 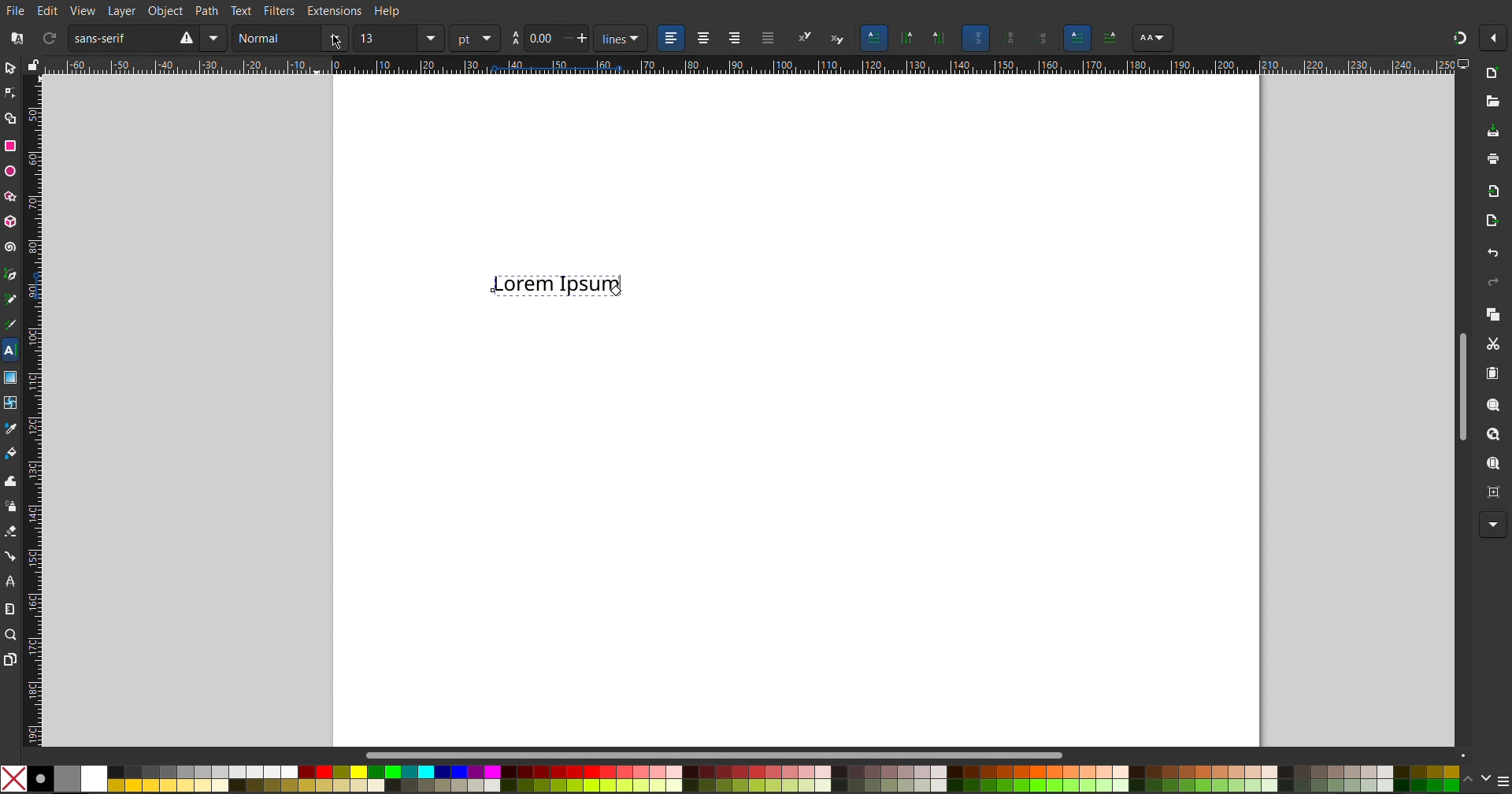 What do you see at coordinates (1490, 282) in the screenshot?
I see `Redo` at bounding box center [1490, 282].